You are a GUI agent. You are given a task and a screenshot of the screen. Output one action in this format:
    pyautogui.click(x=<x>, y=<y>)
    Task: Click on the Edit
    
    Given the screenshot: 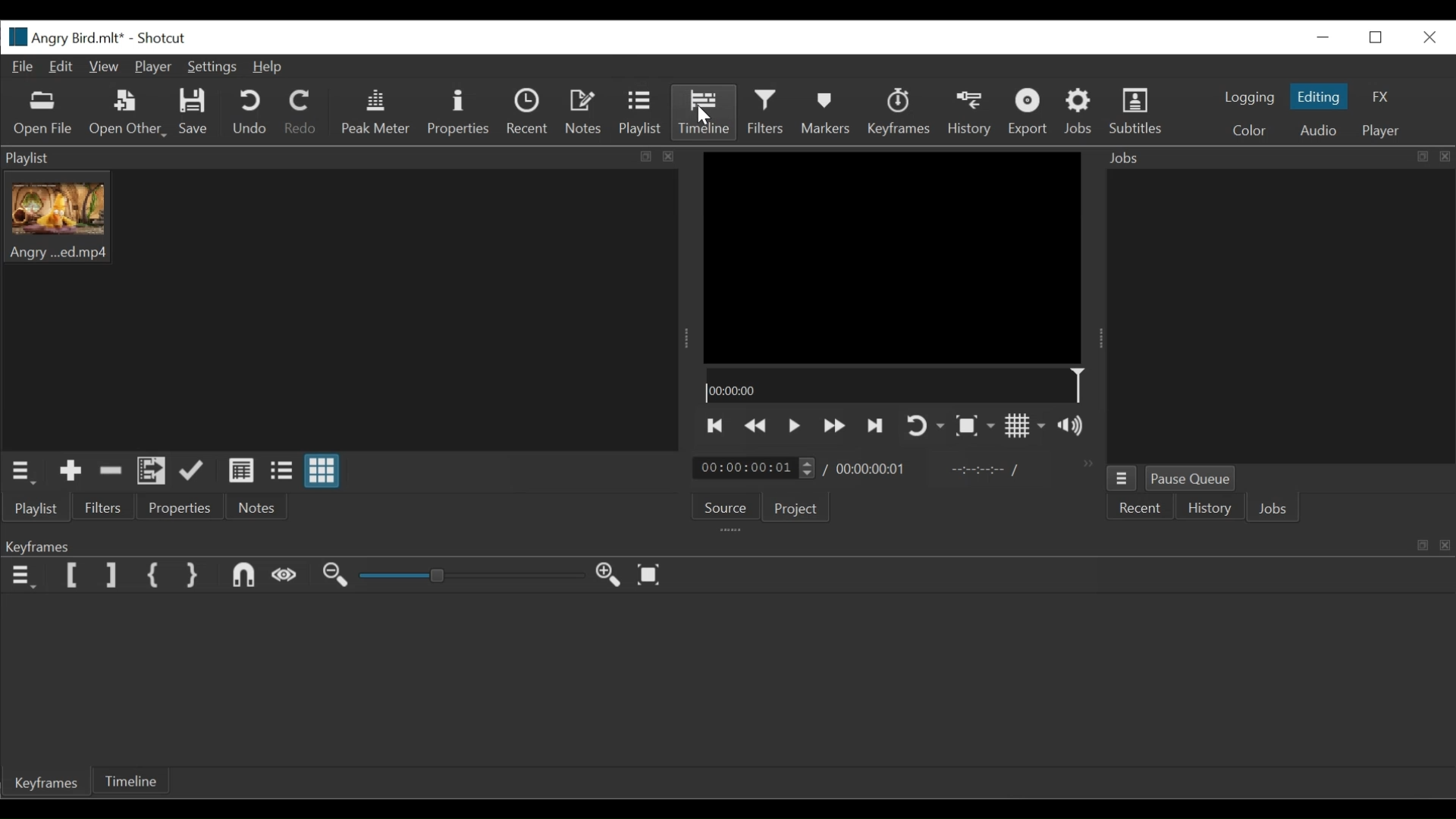 What is the action you would take?
    pyautogui.click(x=61, y=67)
    